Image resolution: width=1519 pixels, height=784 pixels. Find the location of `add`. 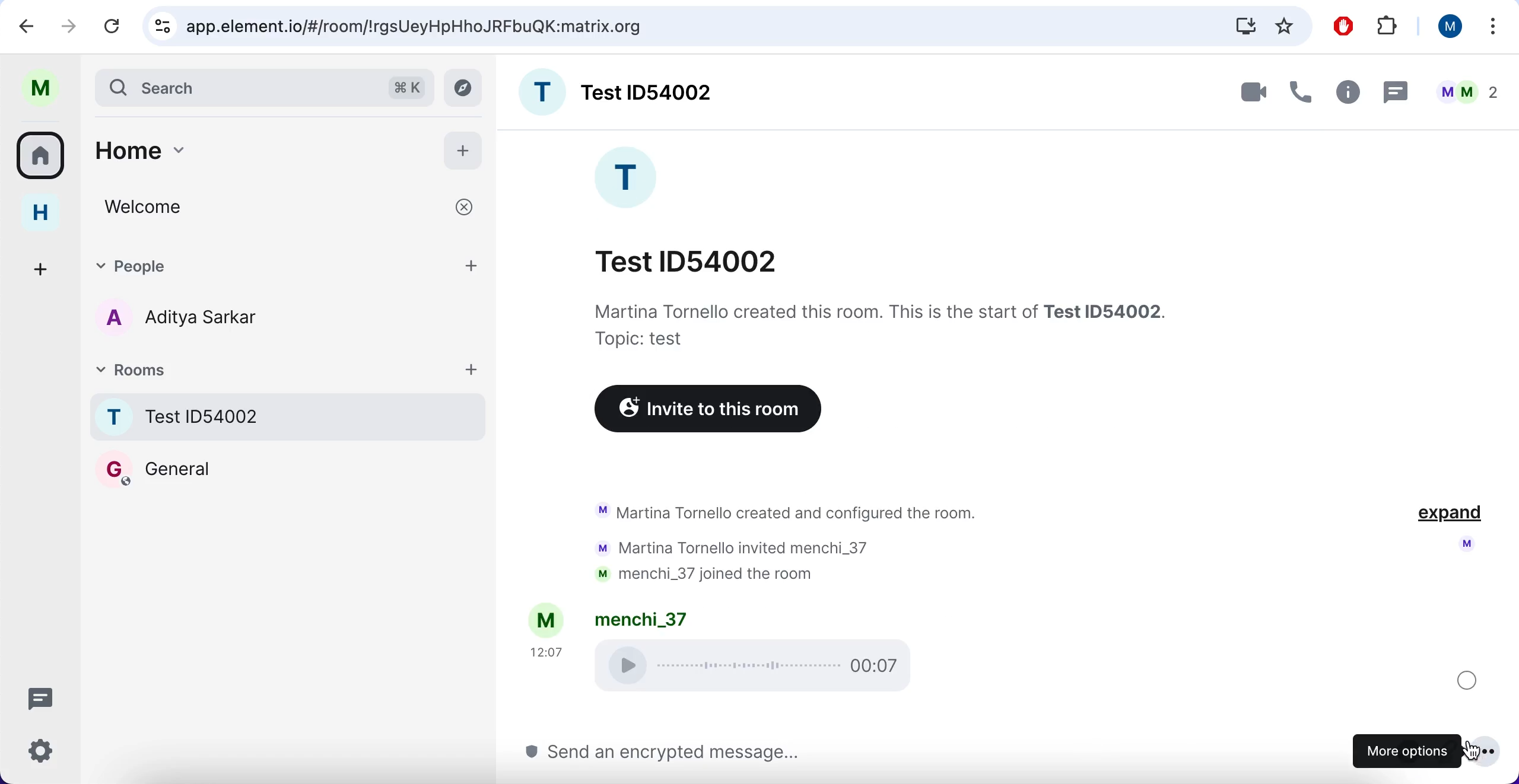

add is located at coordinates (465, 151).